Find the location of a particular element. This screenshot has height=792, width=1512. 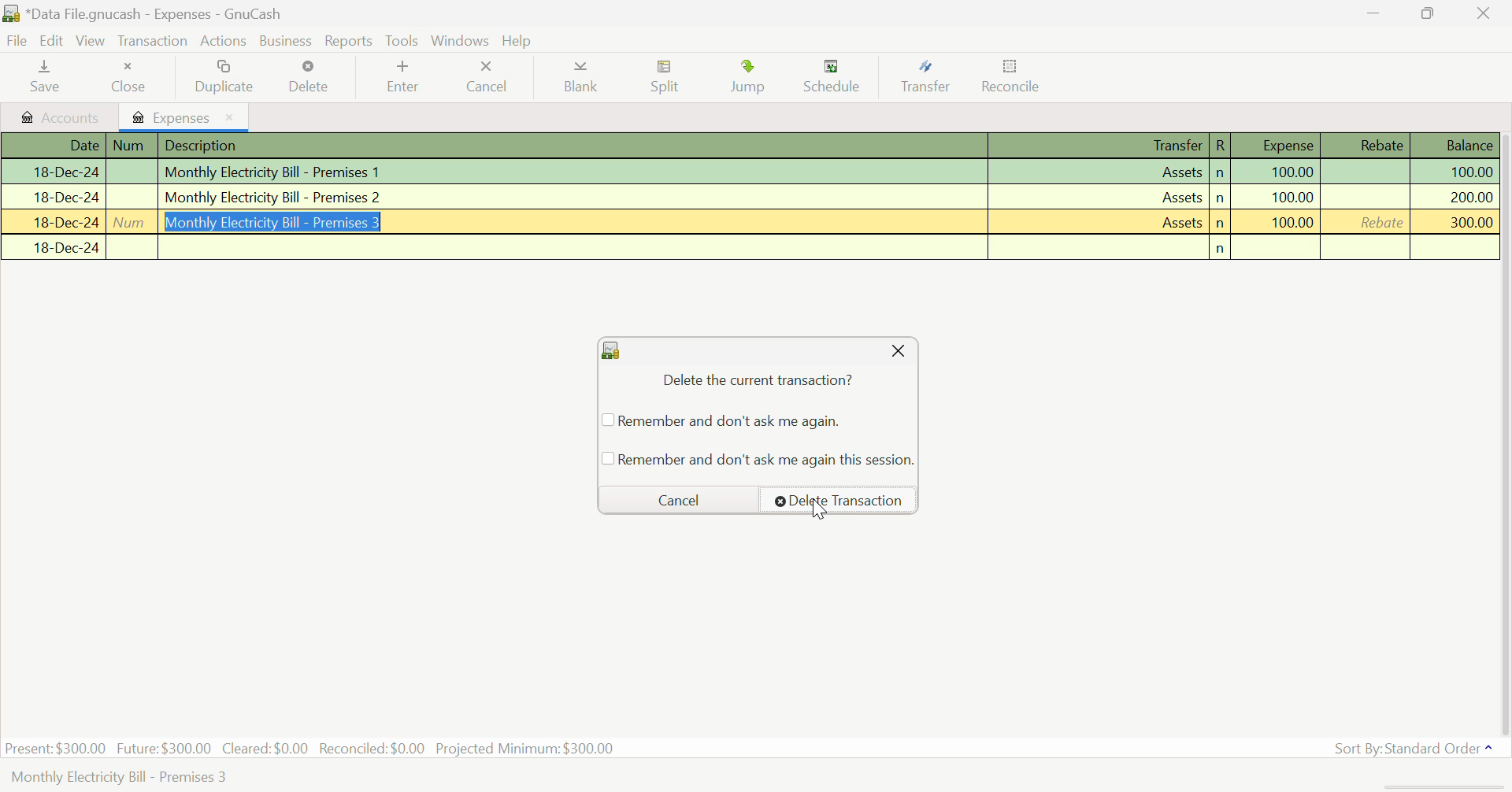

Monthly Electricity Bill - Premises 1 is located at coordinates (750, 173).